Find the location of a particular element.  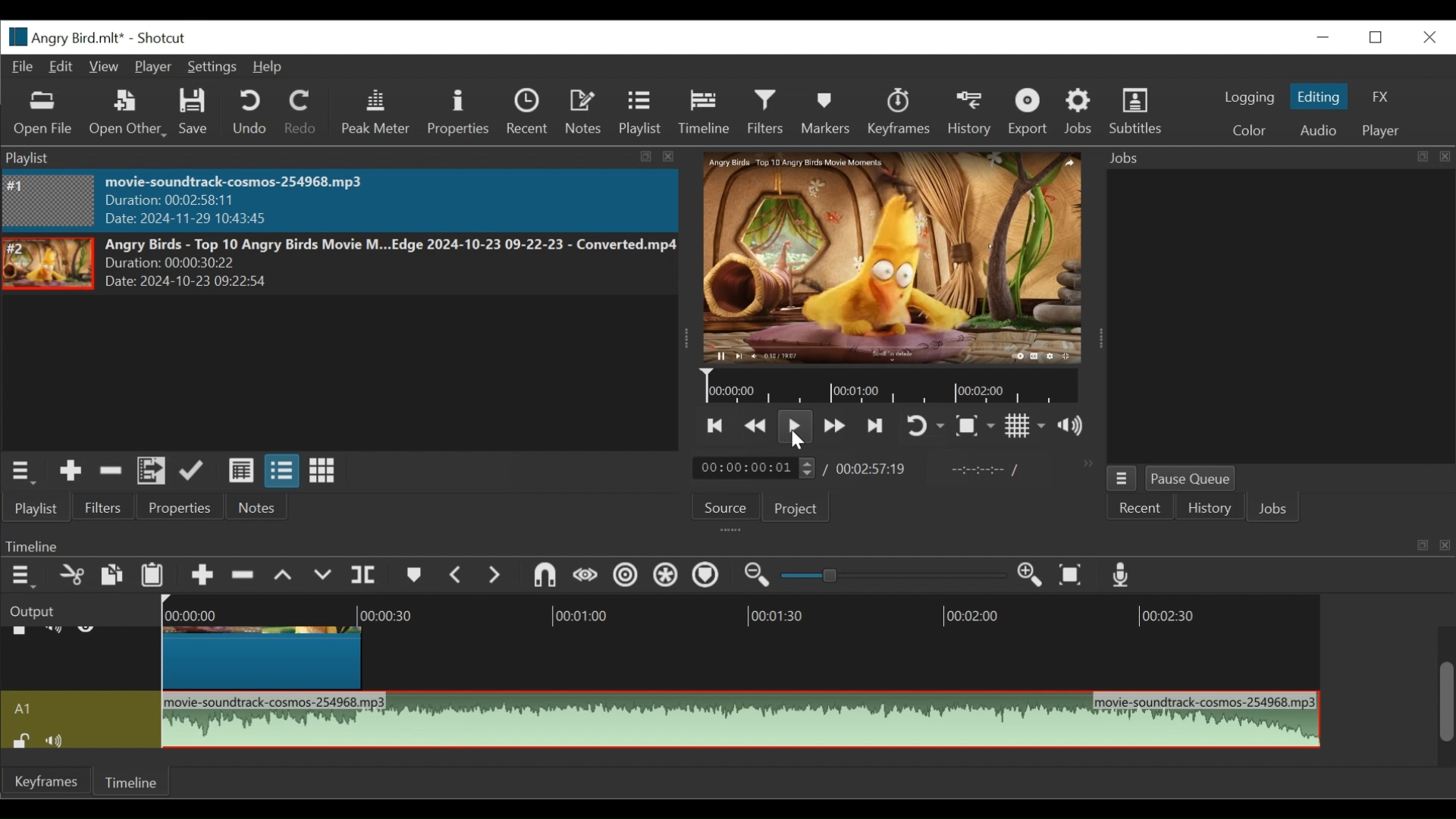

logging is located at coordinates (1250, 97).